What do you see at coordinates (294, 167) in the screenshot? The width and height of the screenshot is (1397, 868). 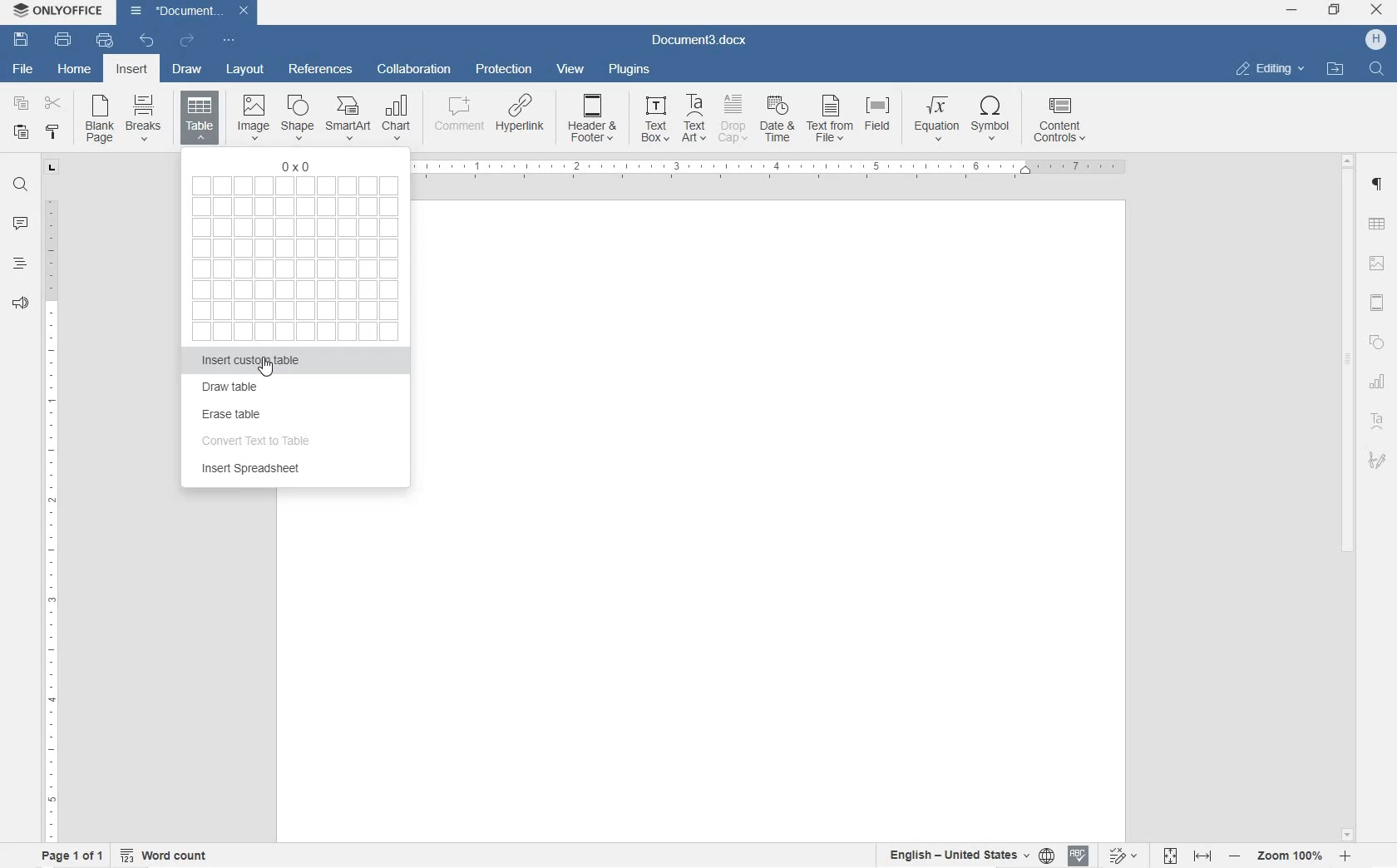 I see `0X0` at bounding box center [294, 167].